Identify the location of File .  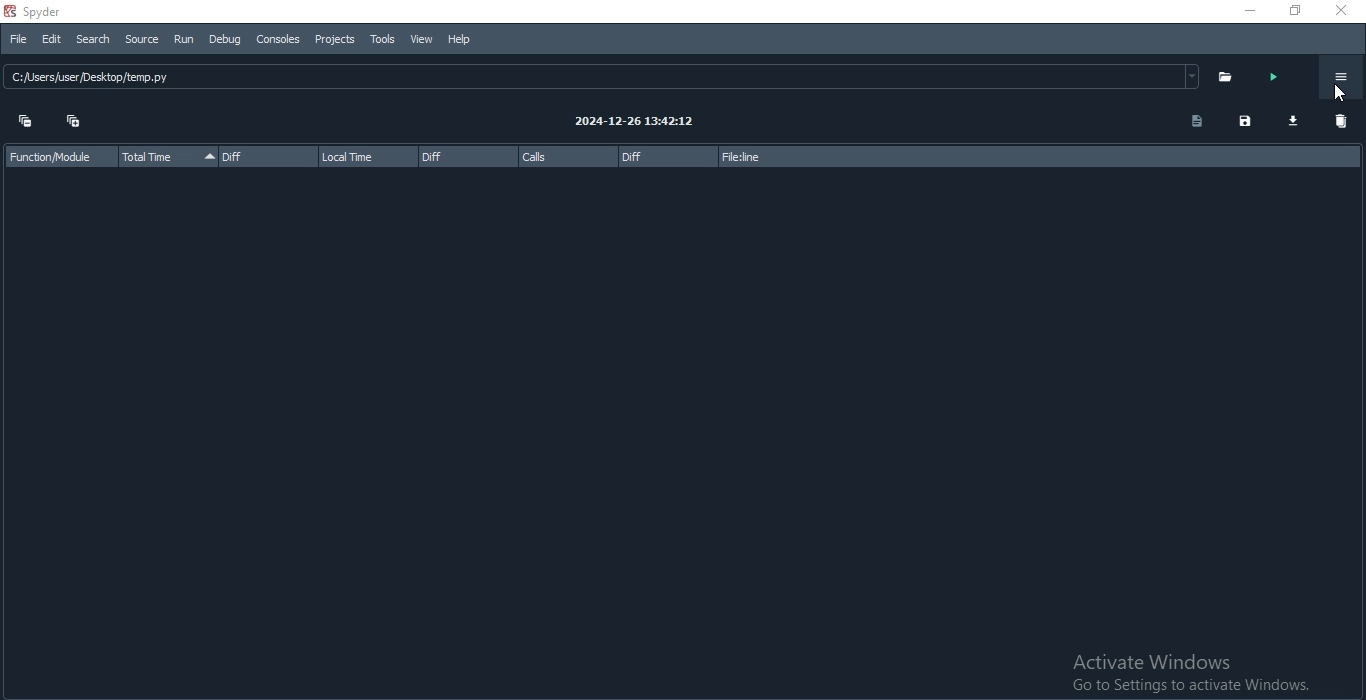
(18, 38).